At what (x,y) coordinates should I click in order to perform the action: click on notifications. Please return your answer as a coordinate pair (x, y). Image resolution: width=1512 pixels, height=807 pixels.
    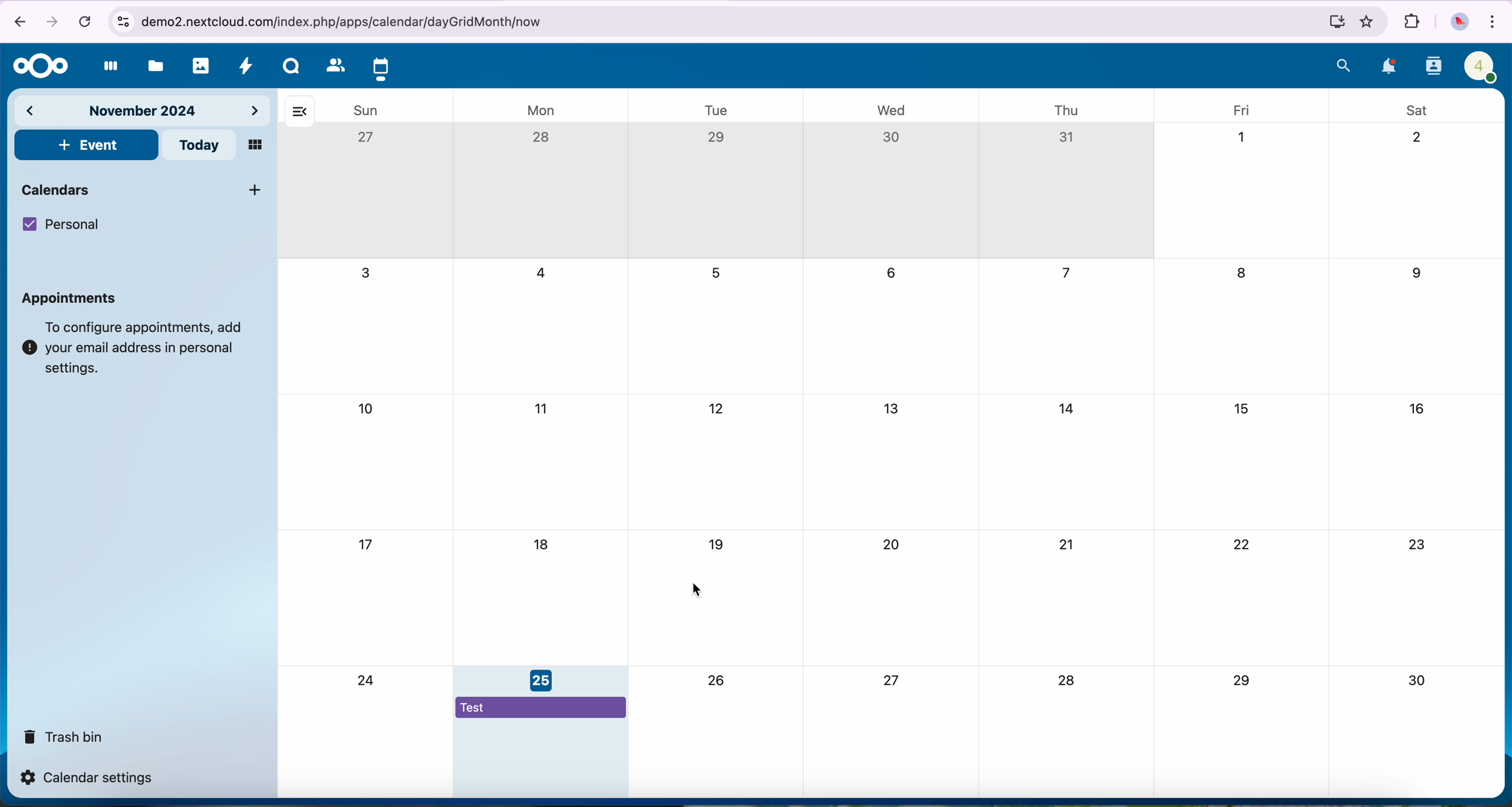
    Looking at the image, I should click on (1389, 67).